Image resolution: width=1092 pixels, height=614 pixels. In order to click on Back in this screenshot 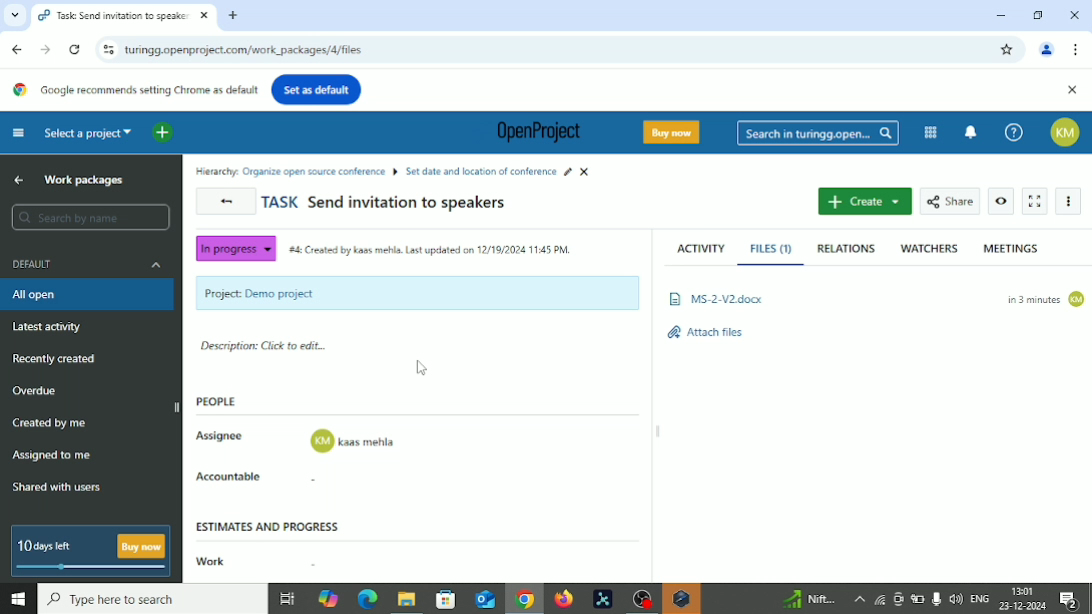, I will do `click(19, 49)`.